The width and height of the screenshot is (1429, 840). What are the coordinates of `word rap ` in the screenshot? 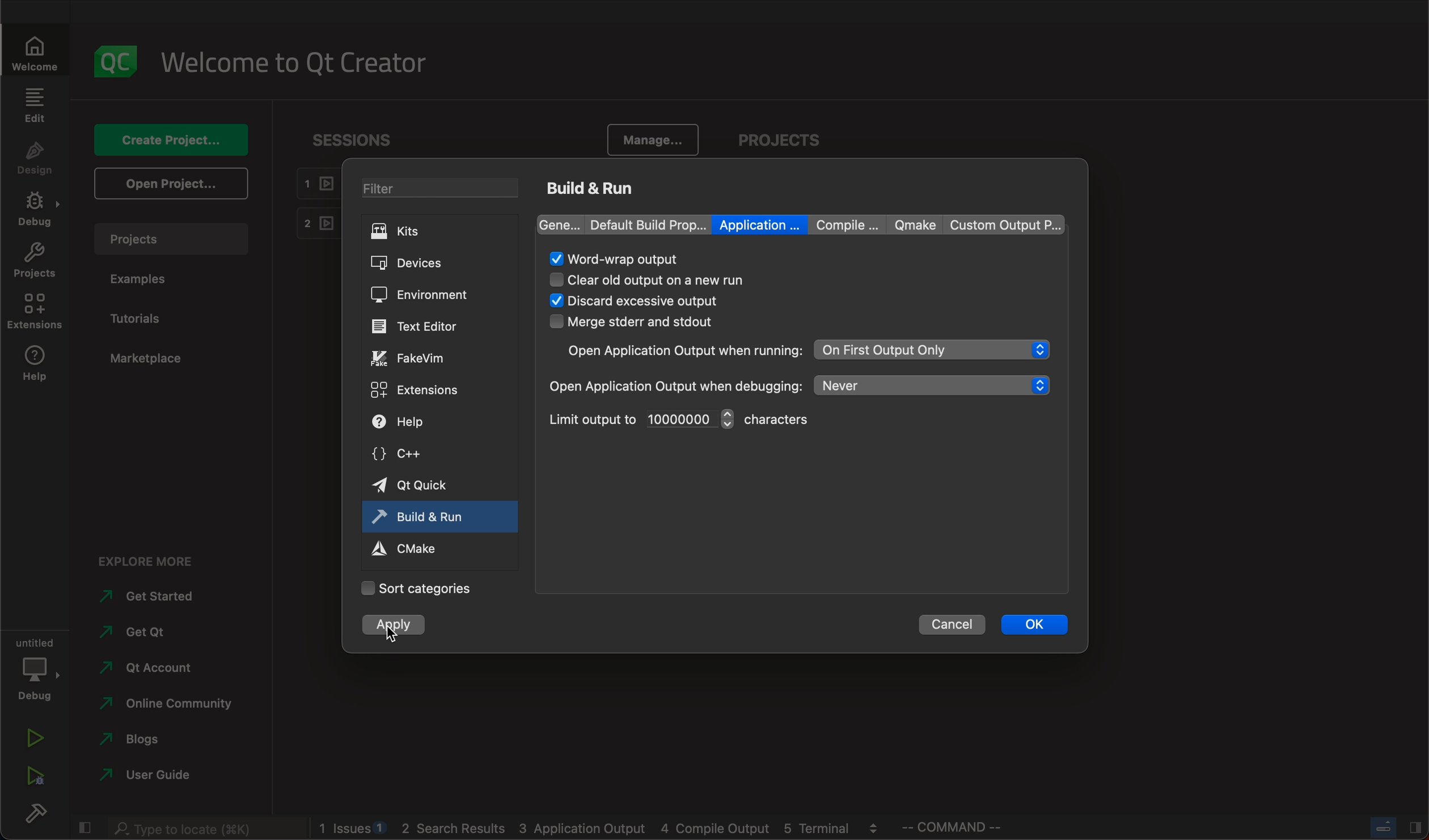 It's located at (619, 259).